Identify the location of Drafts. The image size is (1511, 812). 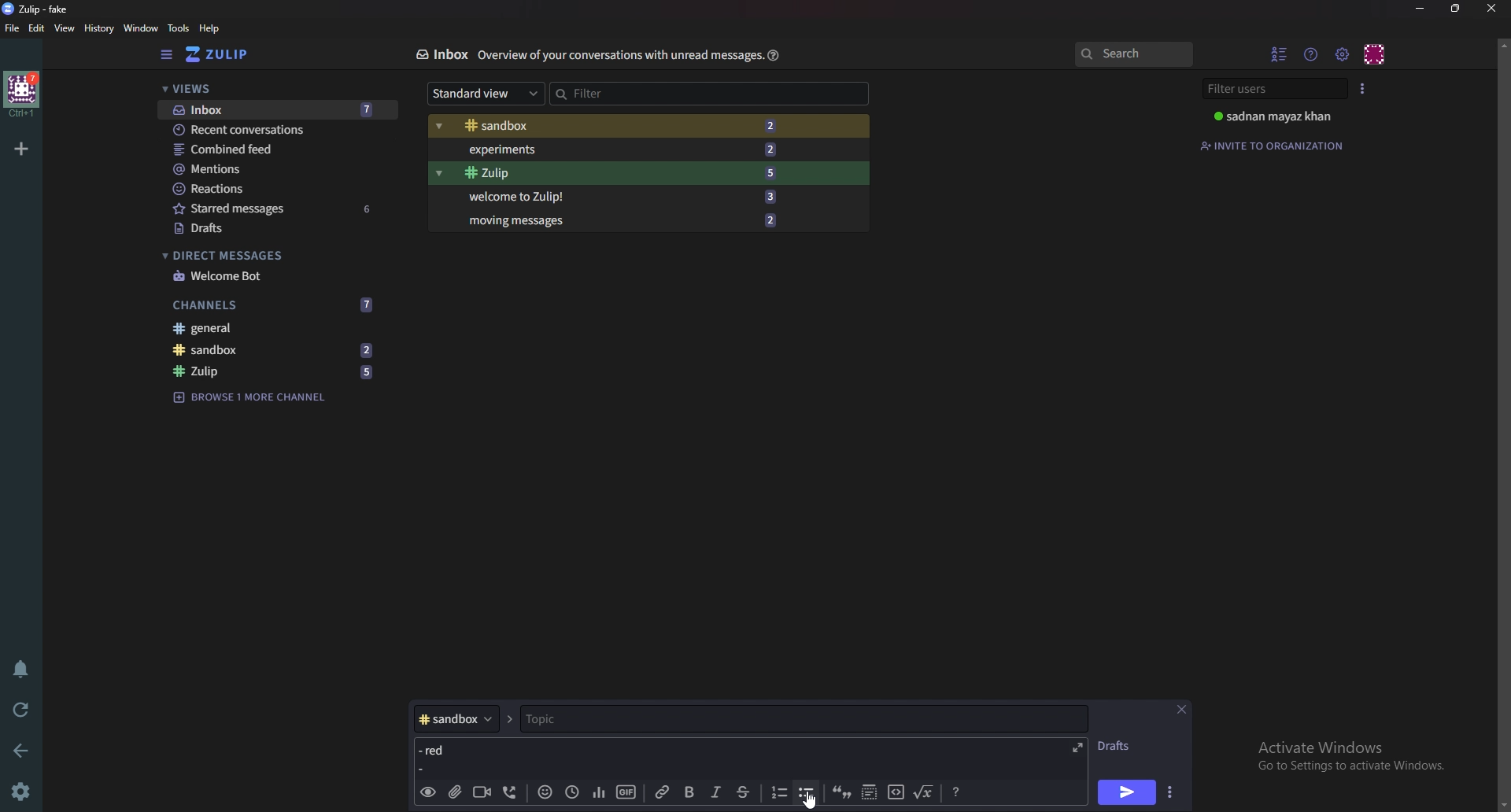
(275, 230).